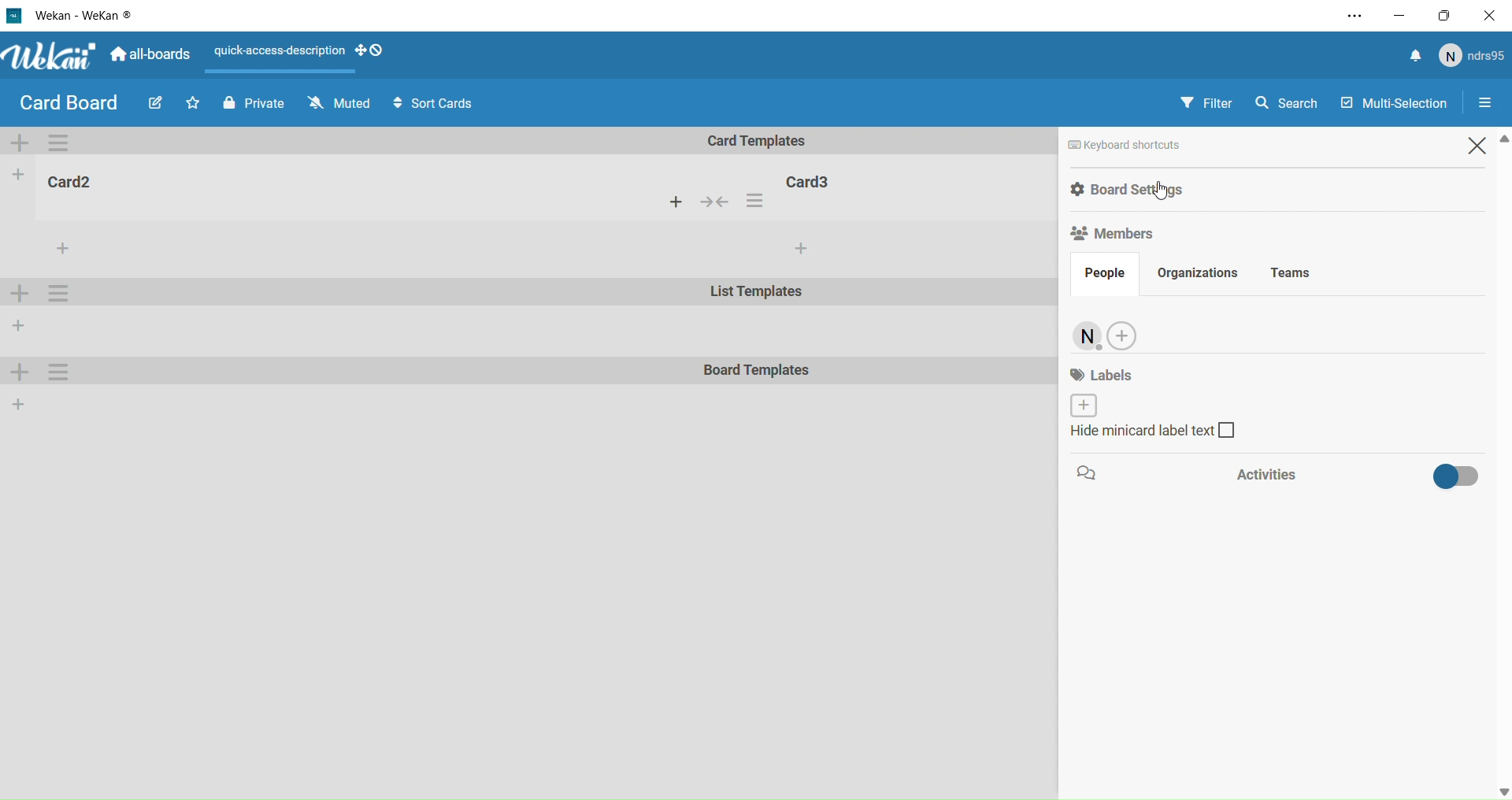 Image resolution: width=1512 pixels, height=800 pixels. What do you see at coordinates (1170, 145) in the screenshot?
I see `Keyboard Shortcuts` at bounding box center [1170, 145].